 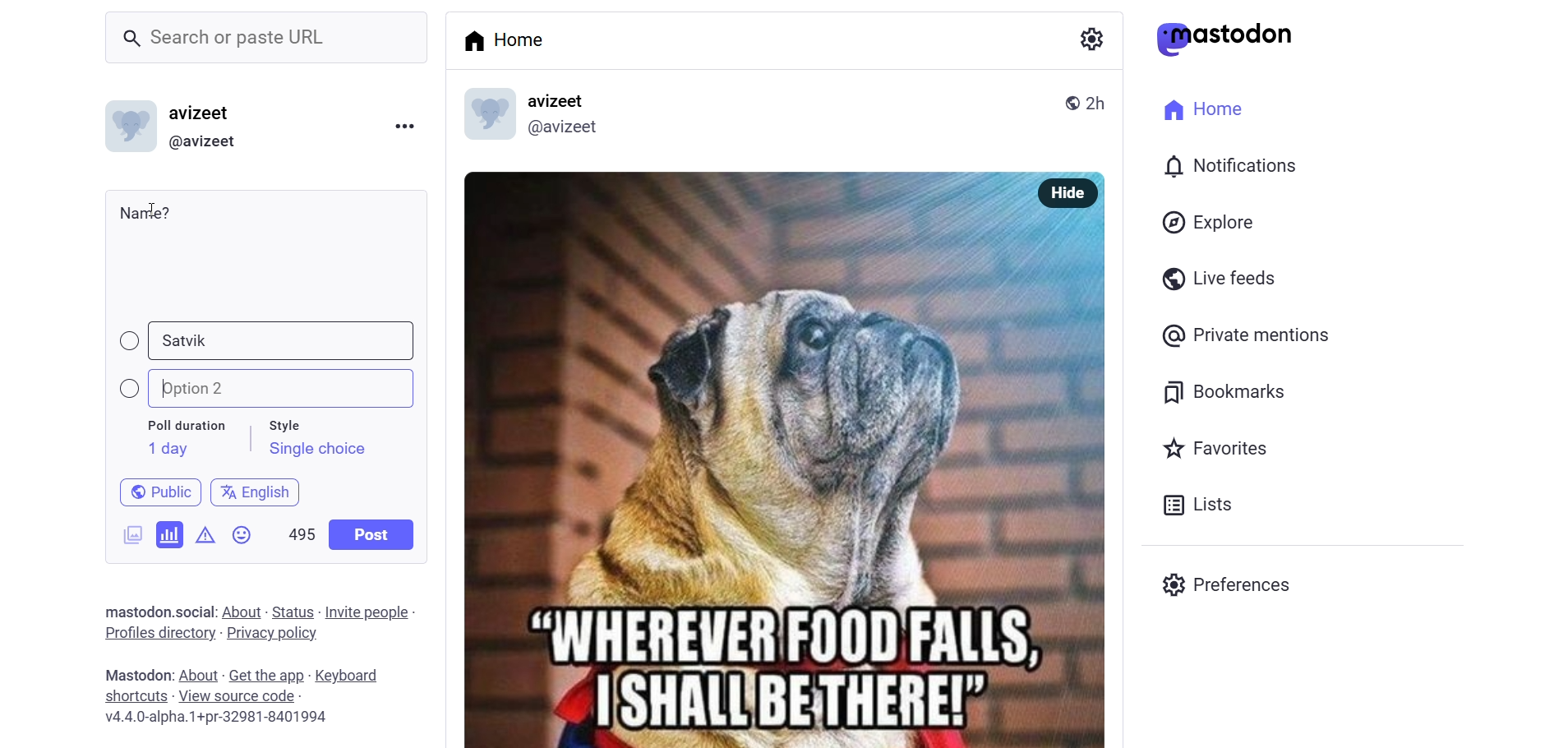 I want to click on home, so click(x=1198, y=107).